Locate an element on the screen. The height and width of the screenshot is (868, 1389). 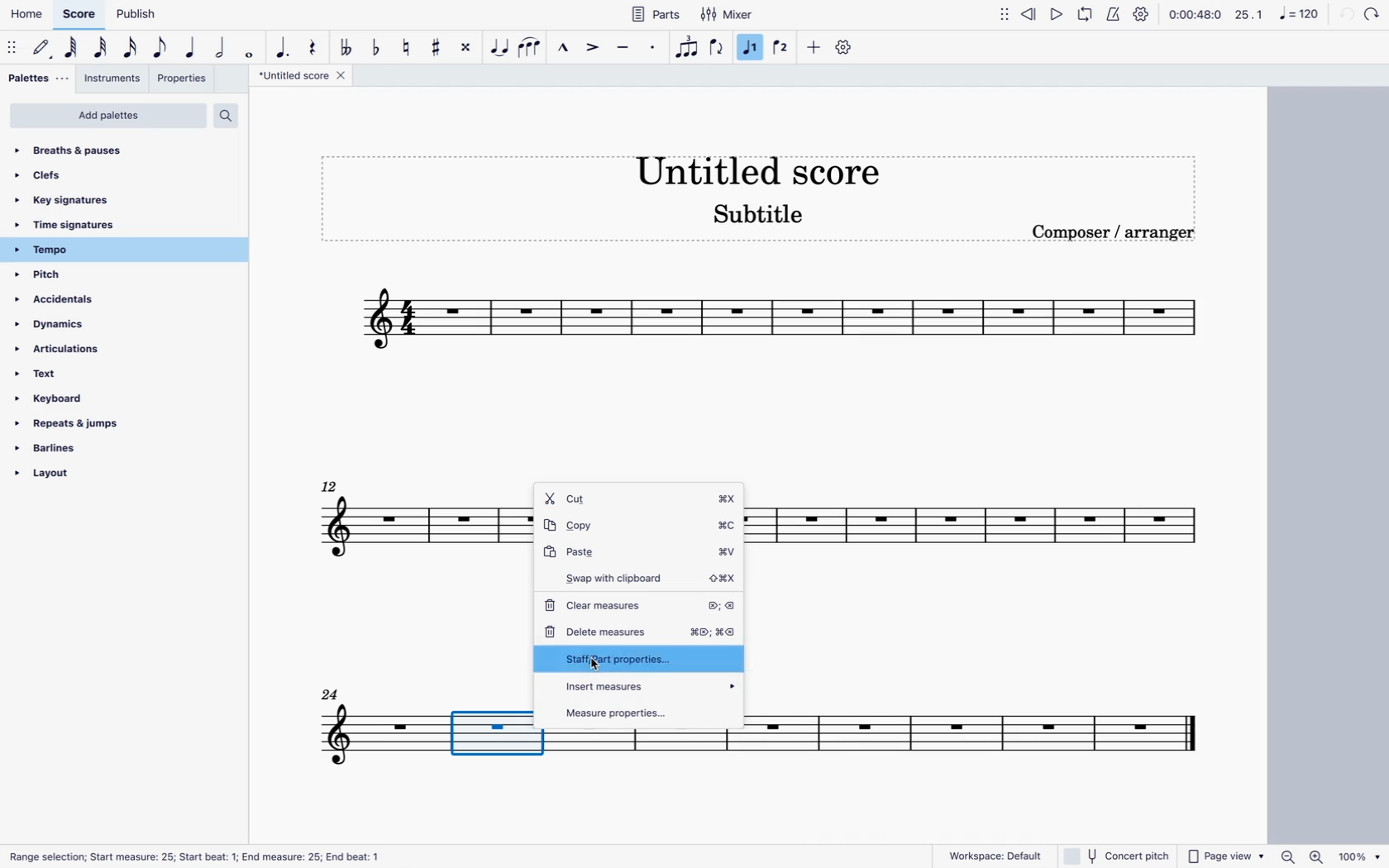
toggle flat is located at coordinates (375, 48).